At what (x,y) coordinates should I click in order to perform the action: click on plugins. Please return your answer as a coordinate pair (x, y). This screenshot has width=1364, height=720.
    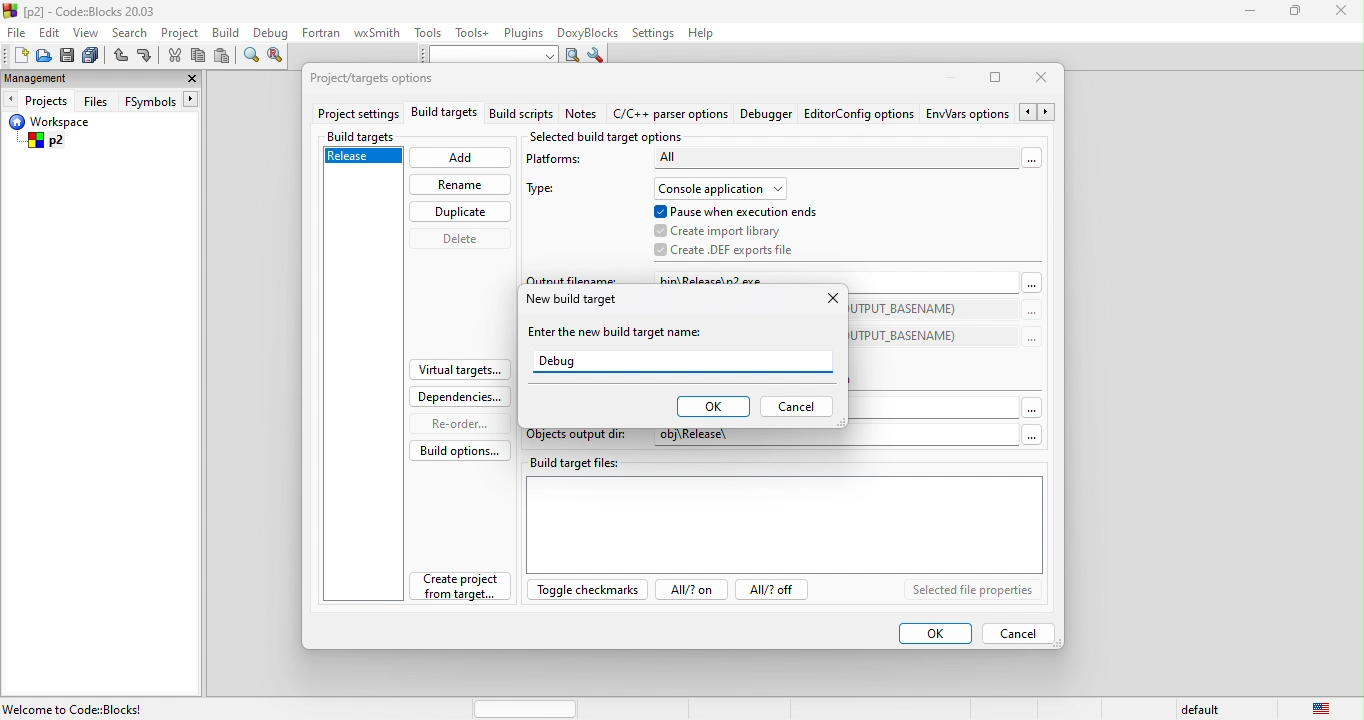
    Looking at the image, I should click on (525, 34).